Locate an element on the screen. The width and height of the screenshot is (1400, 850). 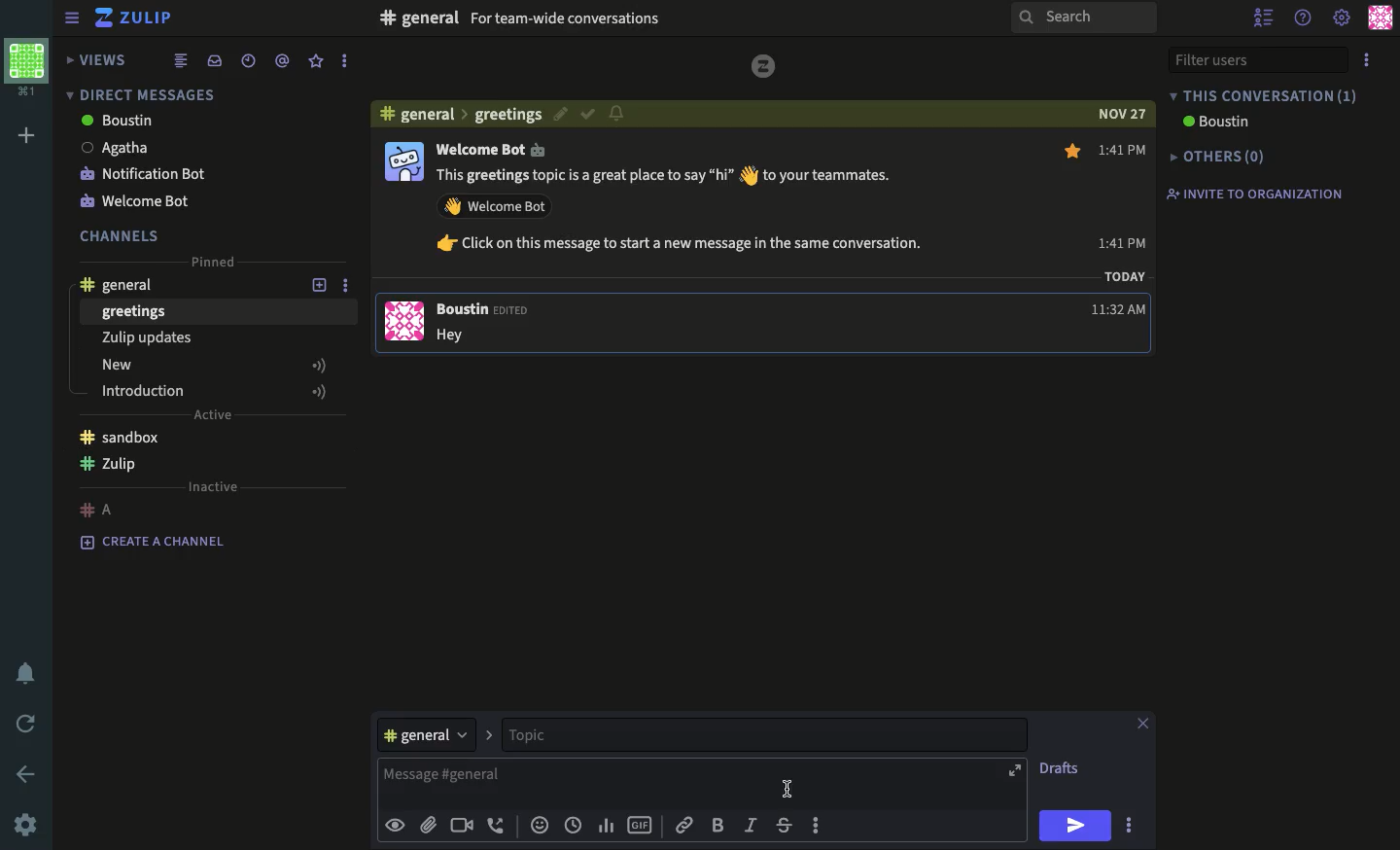
cursor is located at coordinates (787, 787).